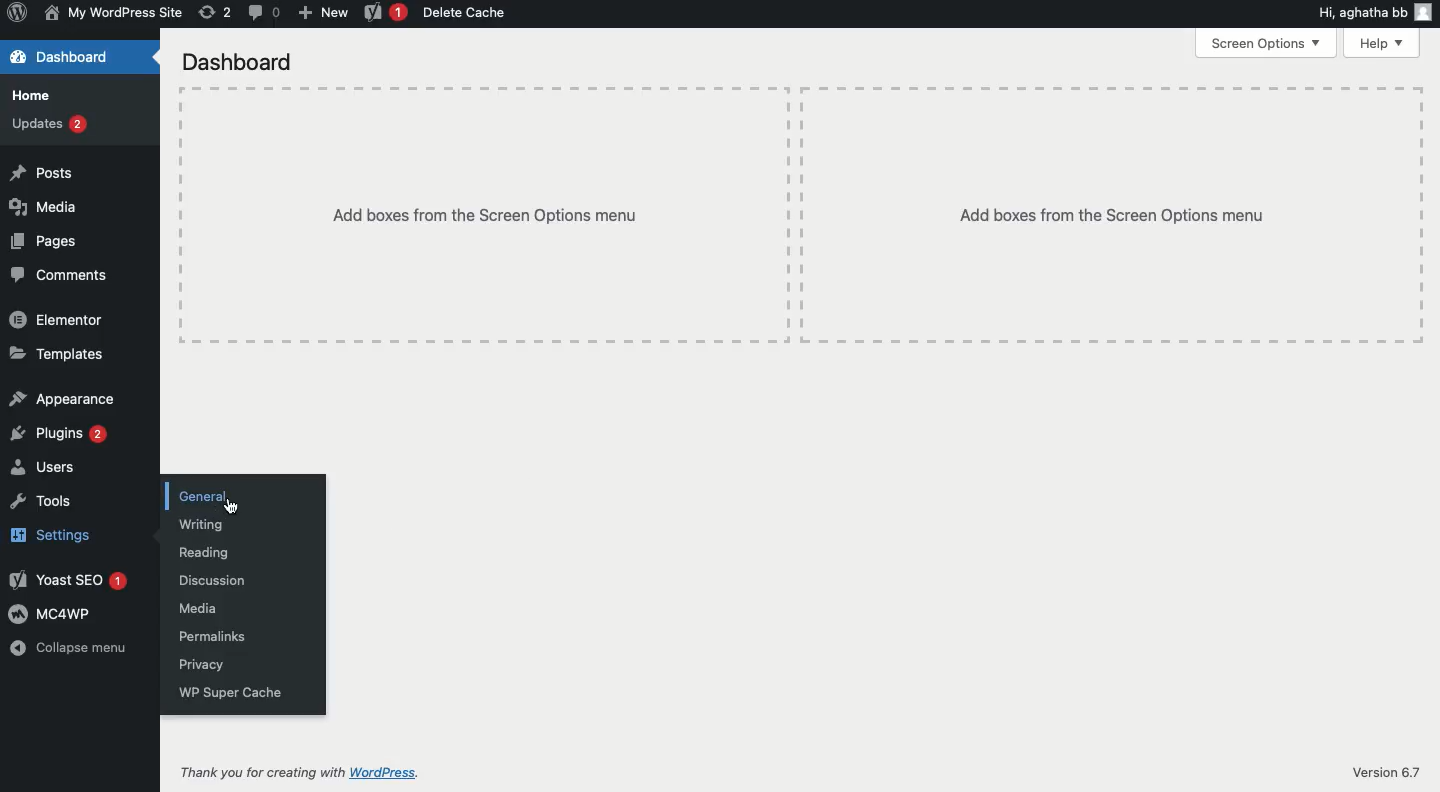  Describe the element at coordinates (65, 58) in the screenshot. I see `Dashboard` at that location.